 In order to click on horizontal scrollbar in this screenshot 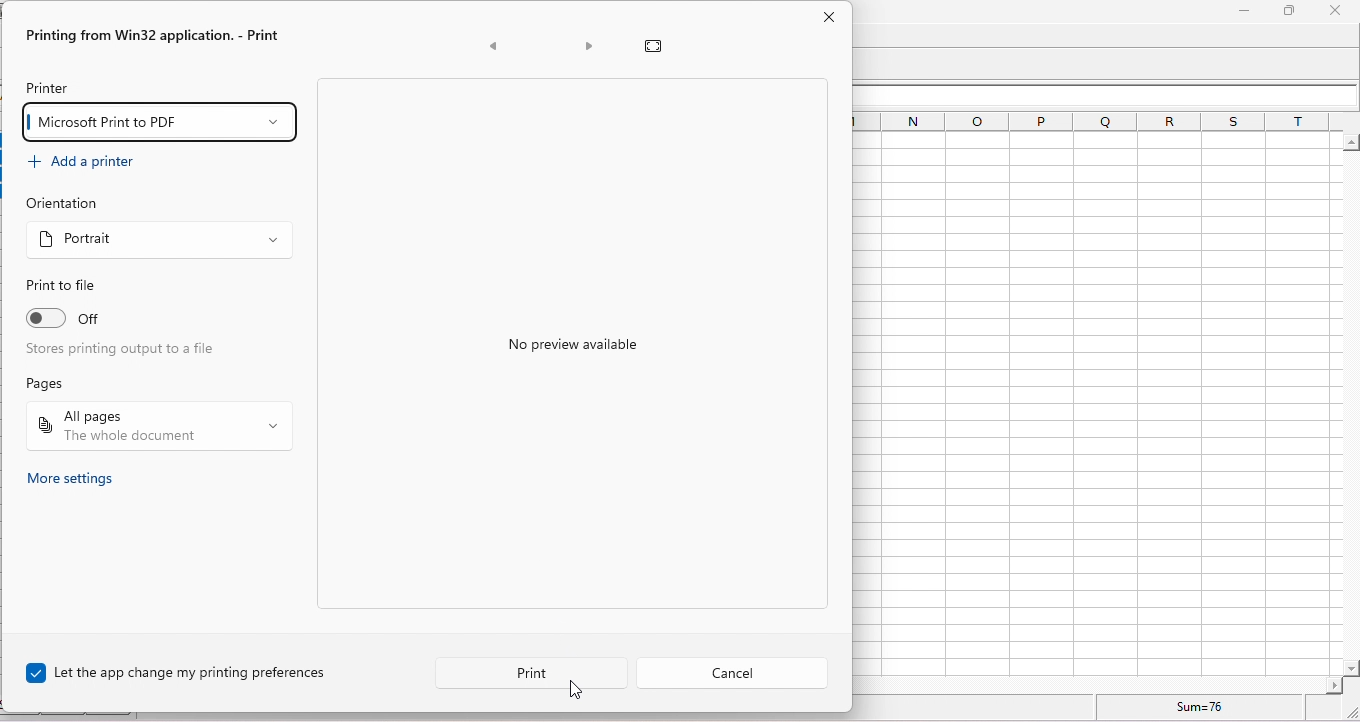, I will do `click(1350, 406)`.